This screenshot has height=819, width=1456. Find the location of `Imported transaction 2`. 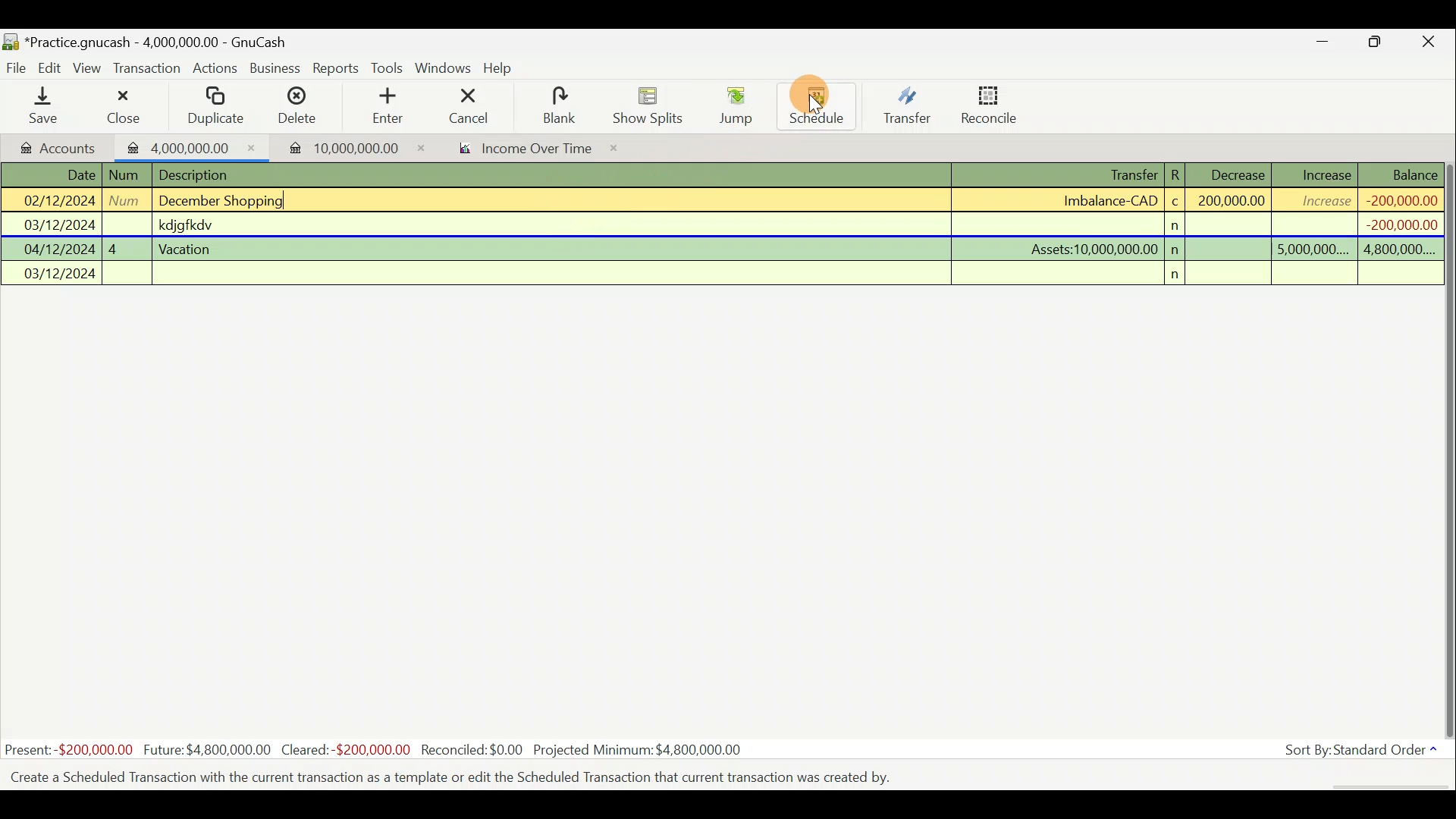

Imported transaction 2 is located at coordinates (339, 148).